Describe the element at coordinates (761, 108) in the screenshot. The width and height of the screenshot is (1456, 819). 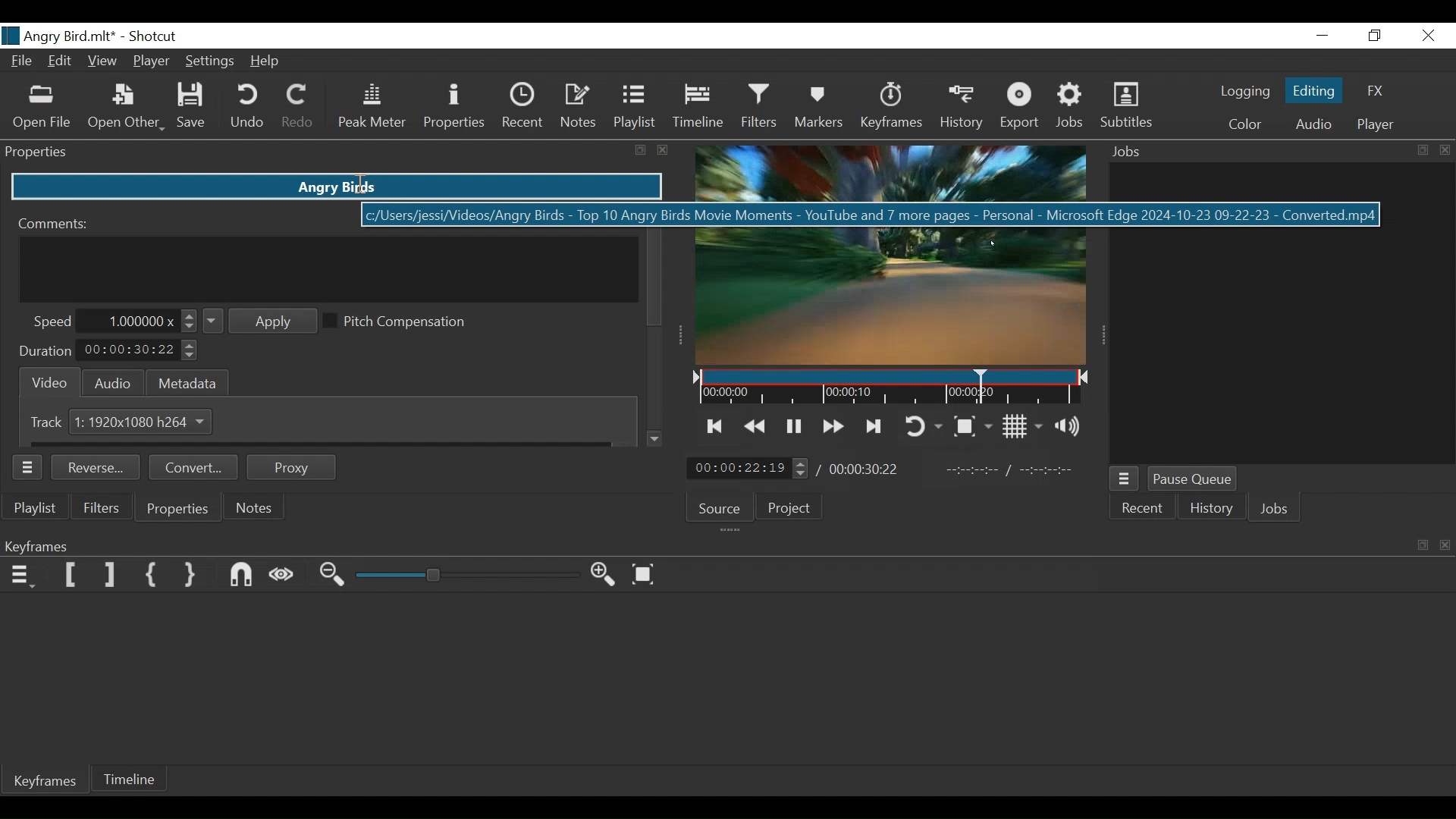
I see `Filters` at that location.